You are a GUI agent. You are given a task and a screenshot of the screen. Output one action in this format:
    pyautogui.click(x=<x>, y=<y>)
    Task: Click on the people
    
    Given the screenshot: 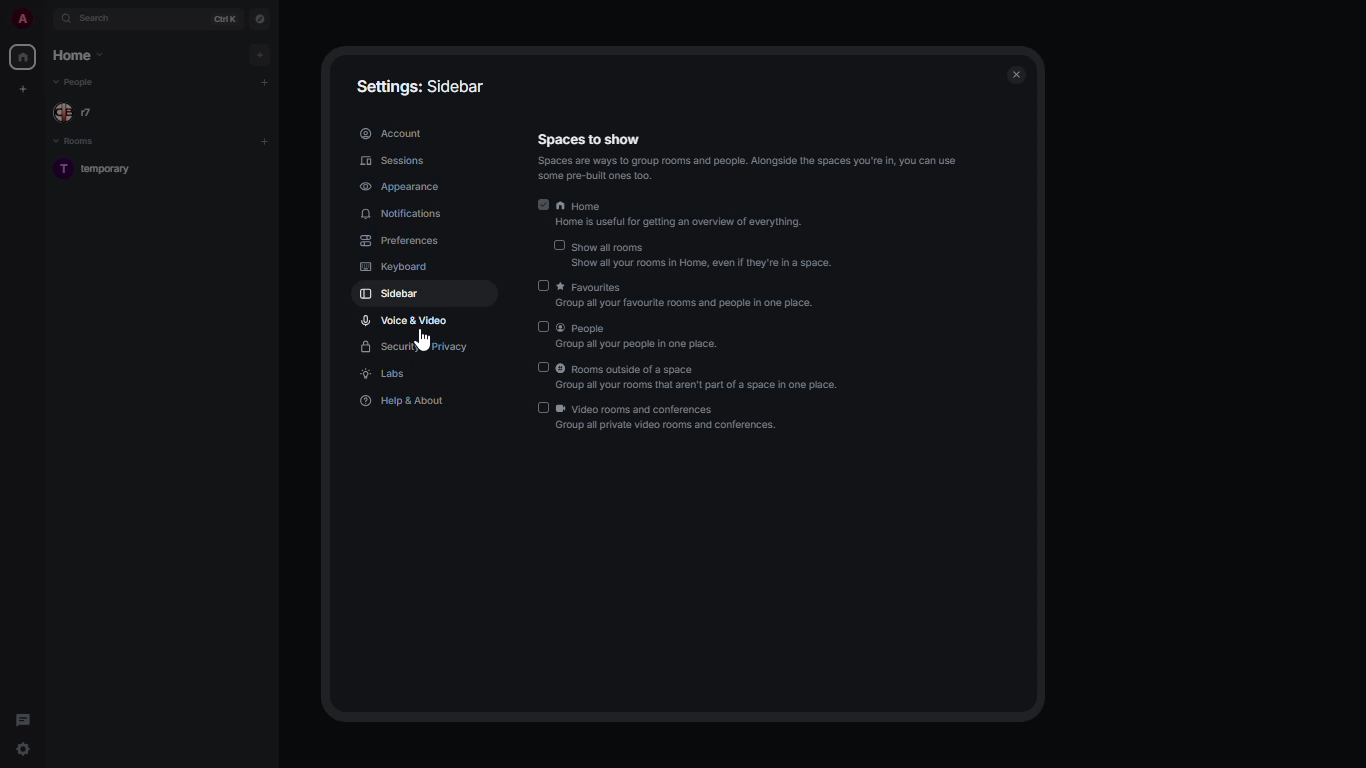 What is the action you would take?
    pyautogui.click(x=77, y=84)
    